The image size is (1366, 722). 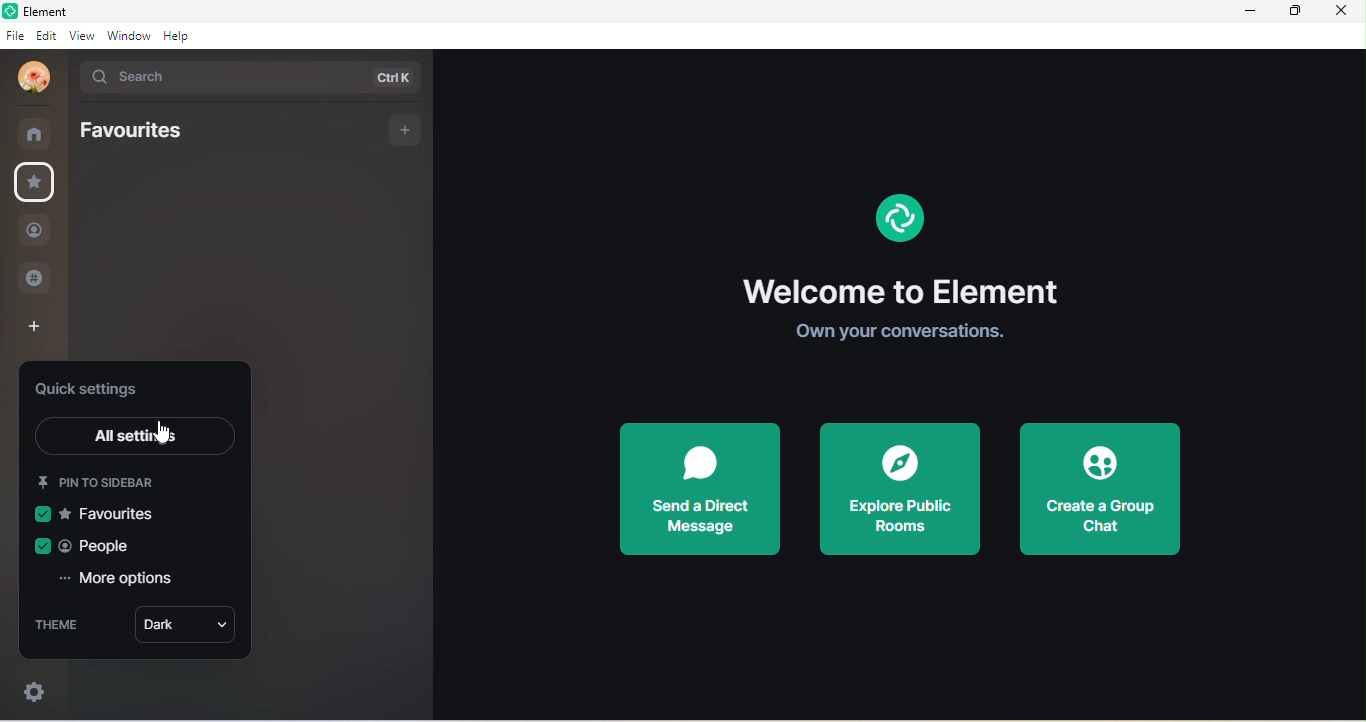 I want to click on people, so click(x=90, y=547).